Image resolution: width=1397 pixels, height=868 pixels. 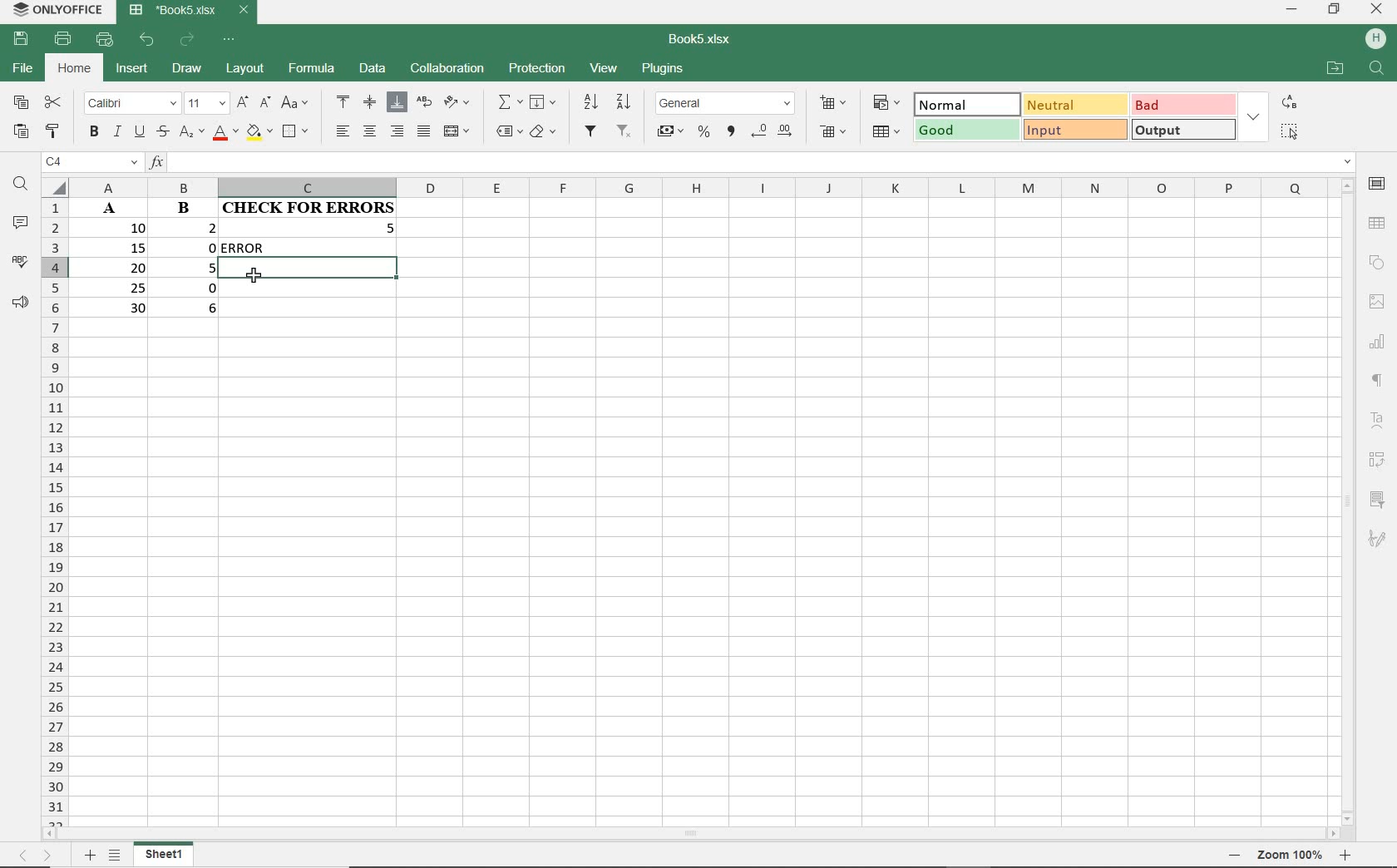 I want to click on CURSOR, so click(x=254, y=276).